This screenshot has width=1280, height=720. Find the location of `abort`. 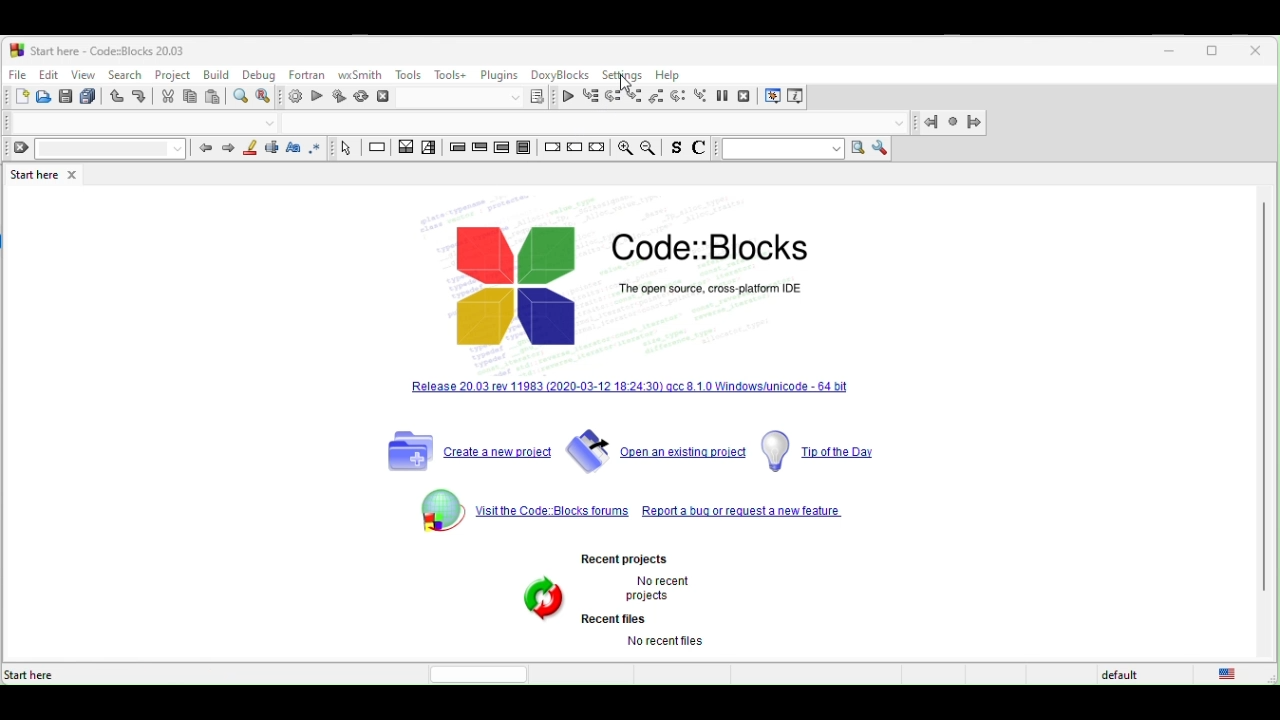

abort is located at coordinates (384, 96).